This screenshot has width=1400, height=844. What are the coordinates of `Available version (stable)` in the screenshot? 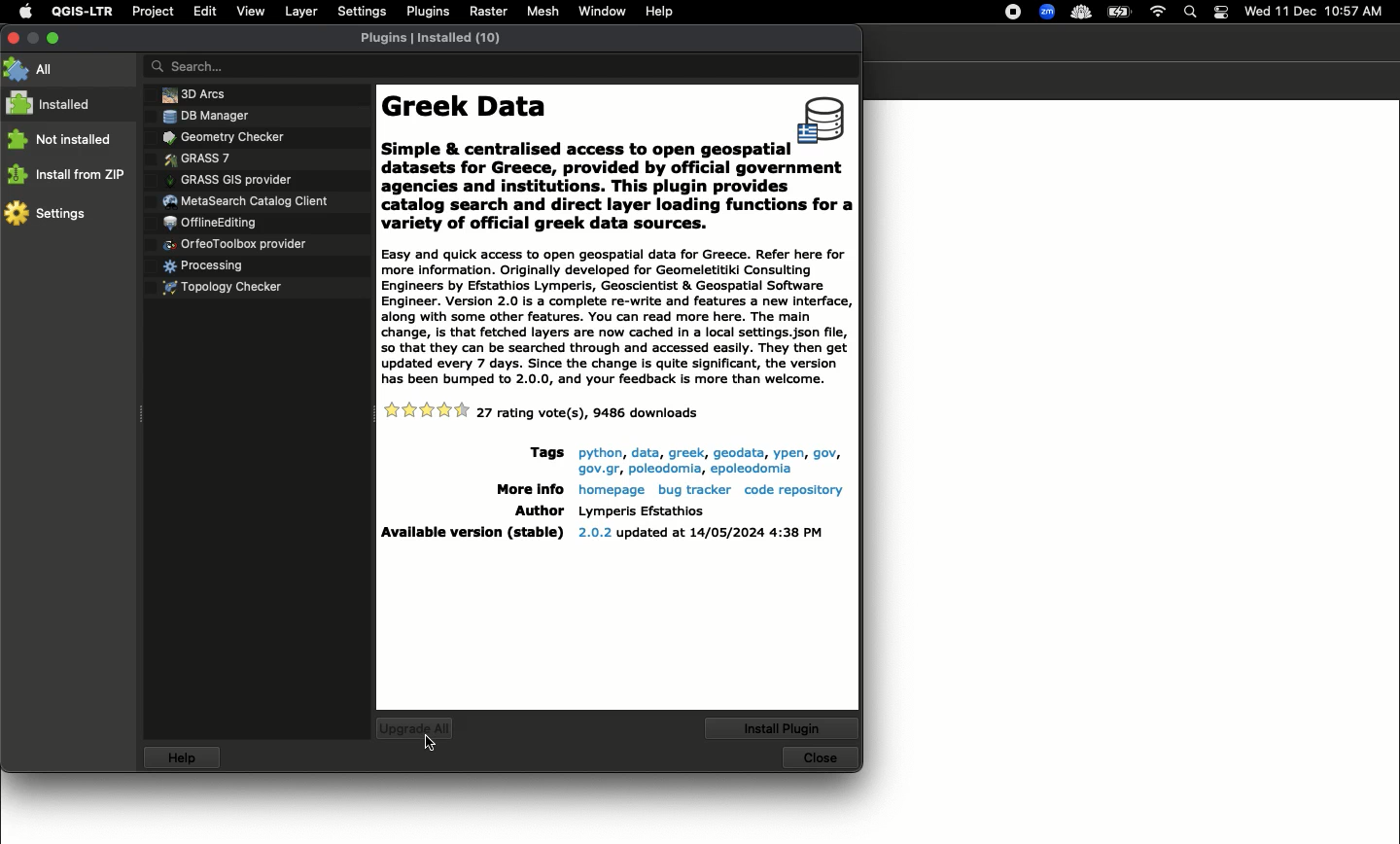 It's located at (472, 534).